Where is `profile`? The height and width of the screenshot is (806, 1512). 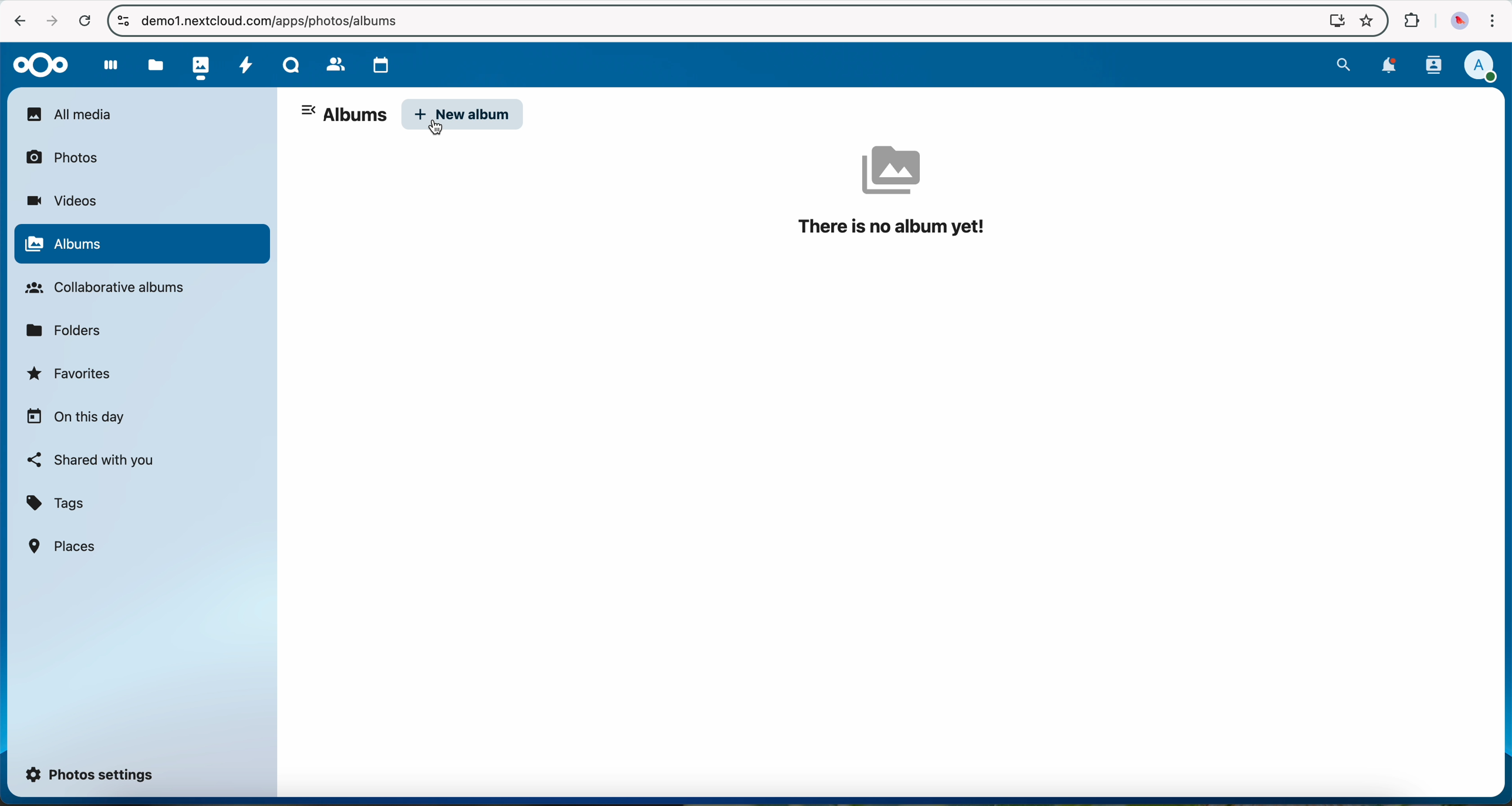 profile is located at coordinates (1480, 67).